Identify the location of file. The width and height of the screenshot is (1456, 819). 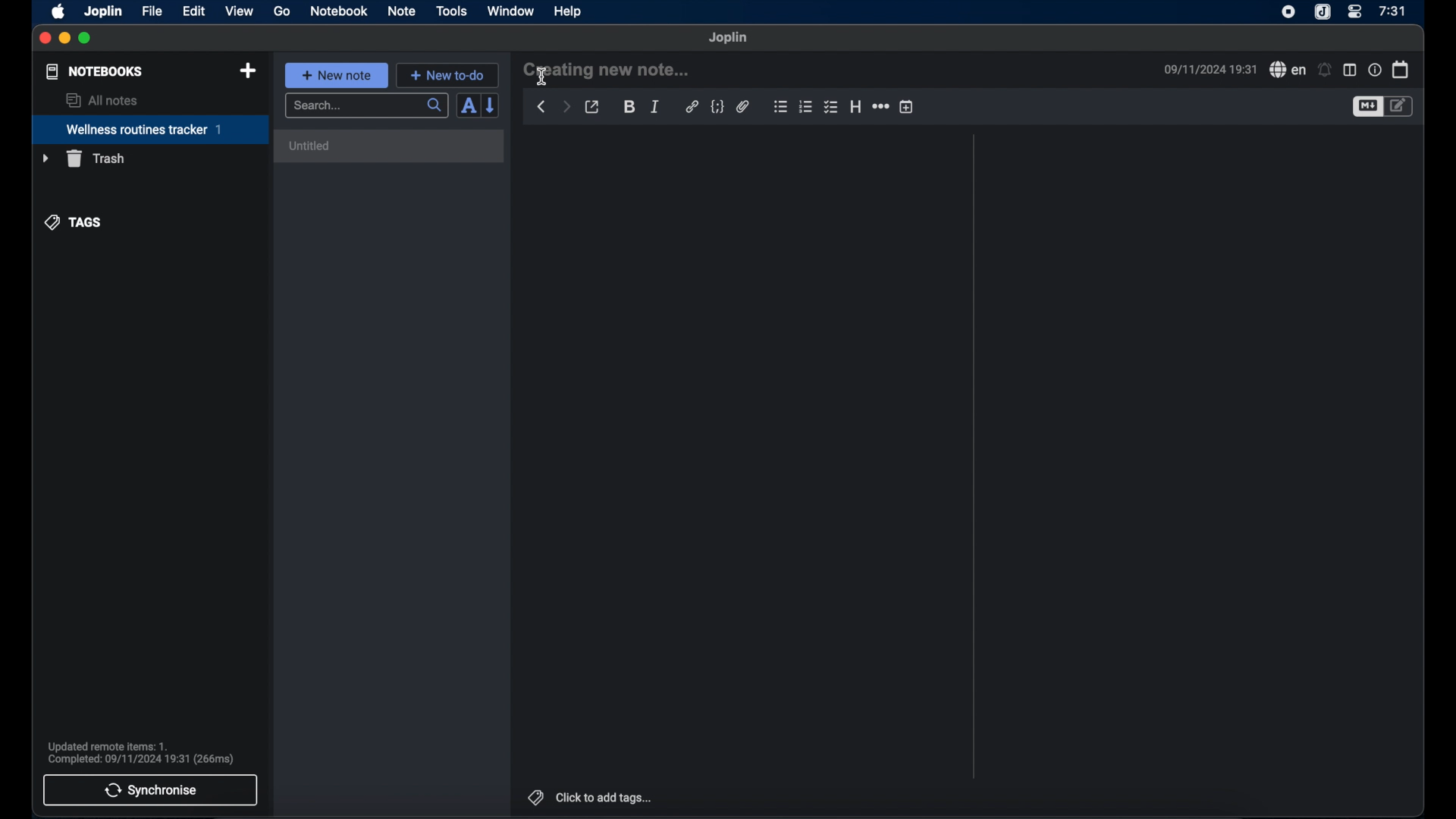
(152, 11).